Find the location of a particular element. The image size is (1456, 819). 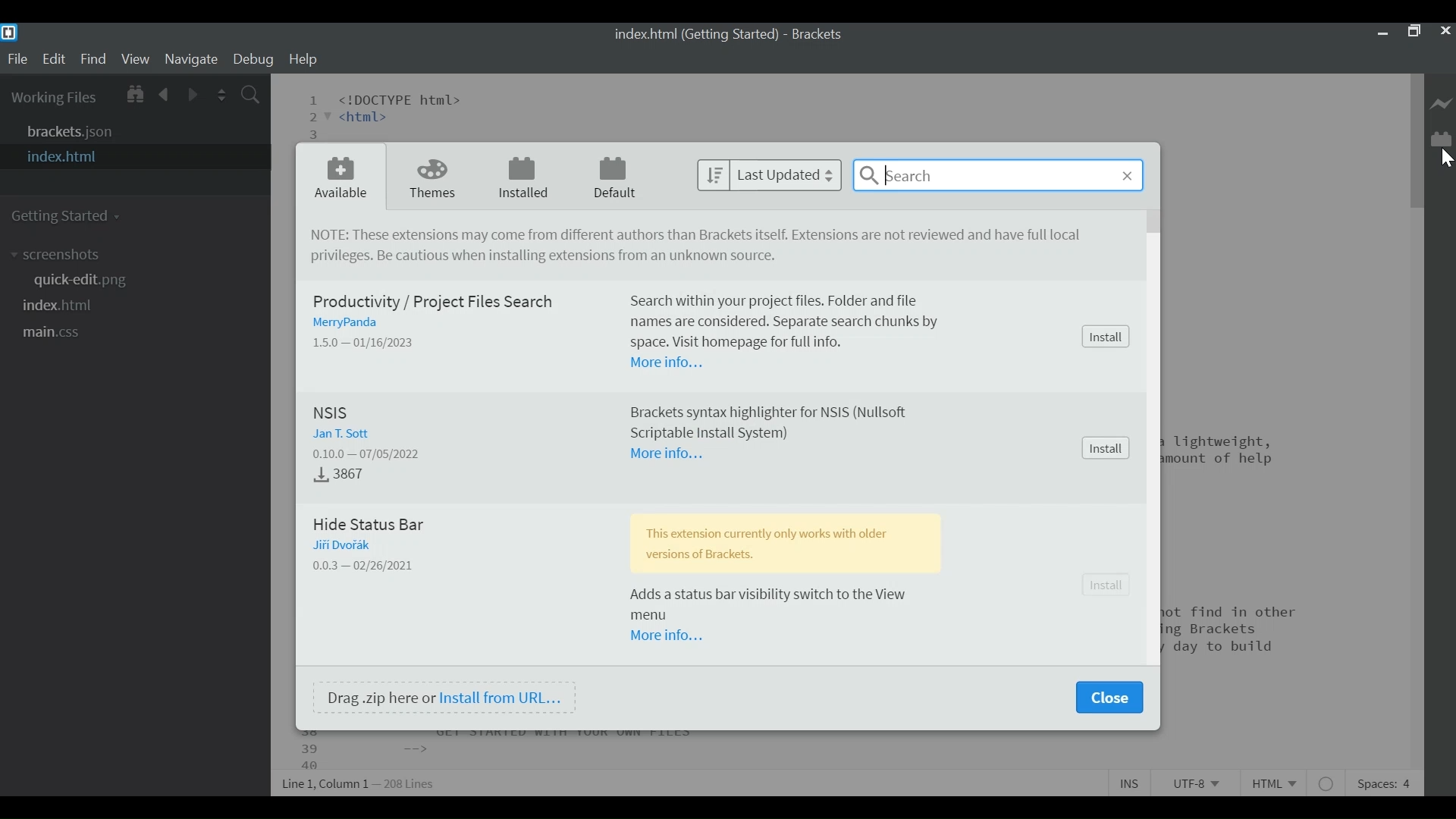

Version - Release Date is located at coordinates (368, 566).